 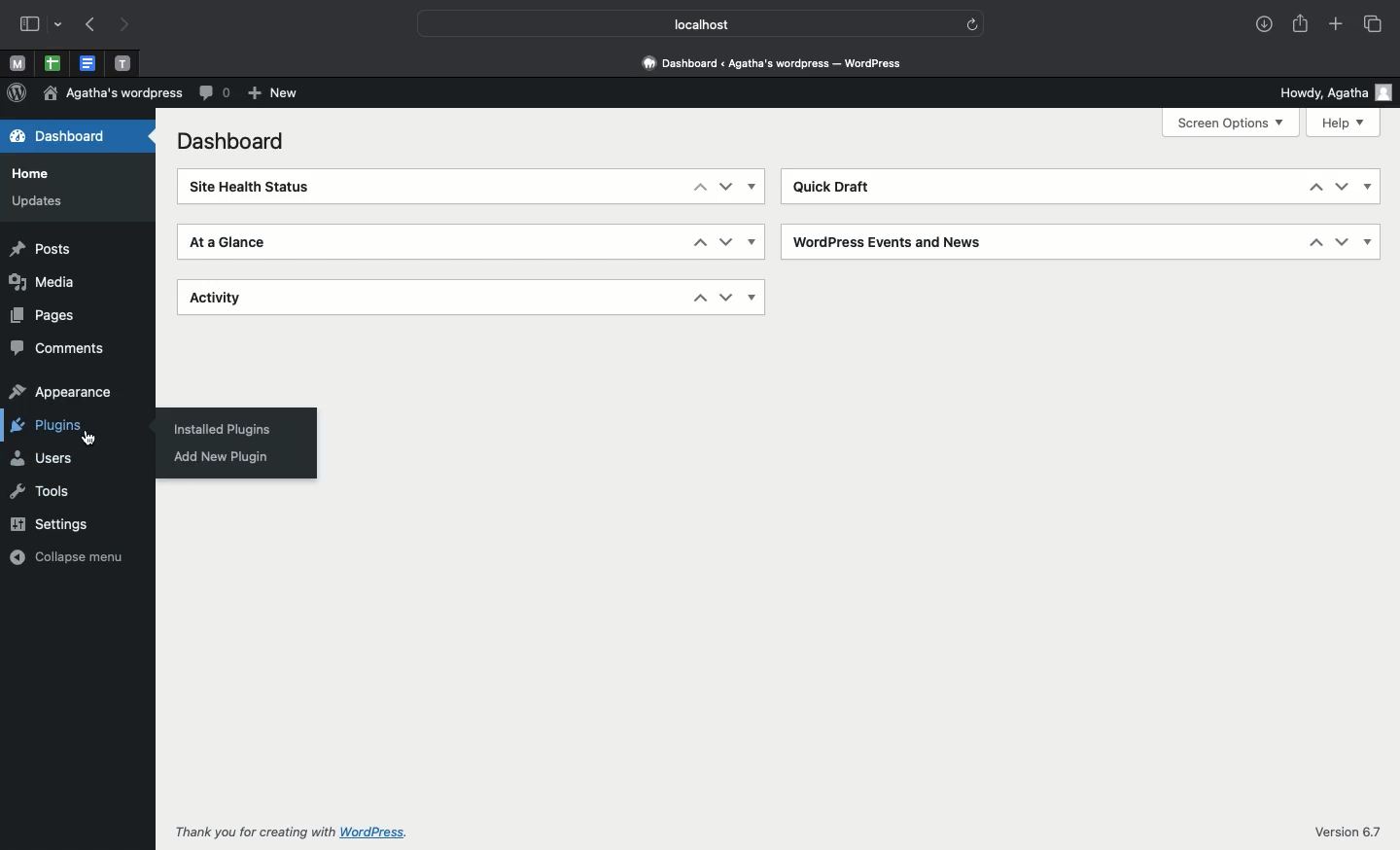 I want to click on Up, so click(x=1314, y=243).